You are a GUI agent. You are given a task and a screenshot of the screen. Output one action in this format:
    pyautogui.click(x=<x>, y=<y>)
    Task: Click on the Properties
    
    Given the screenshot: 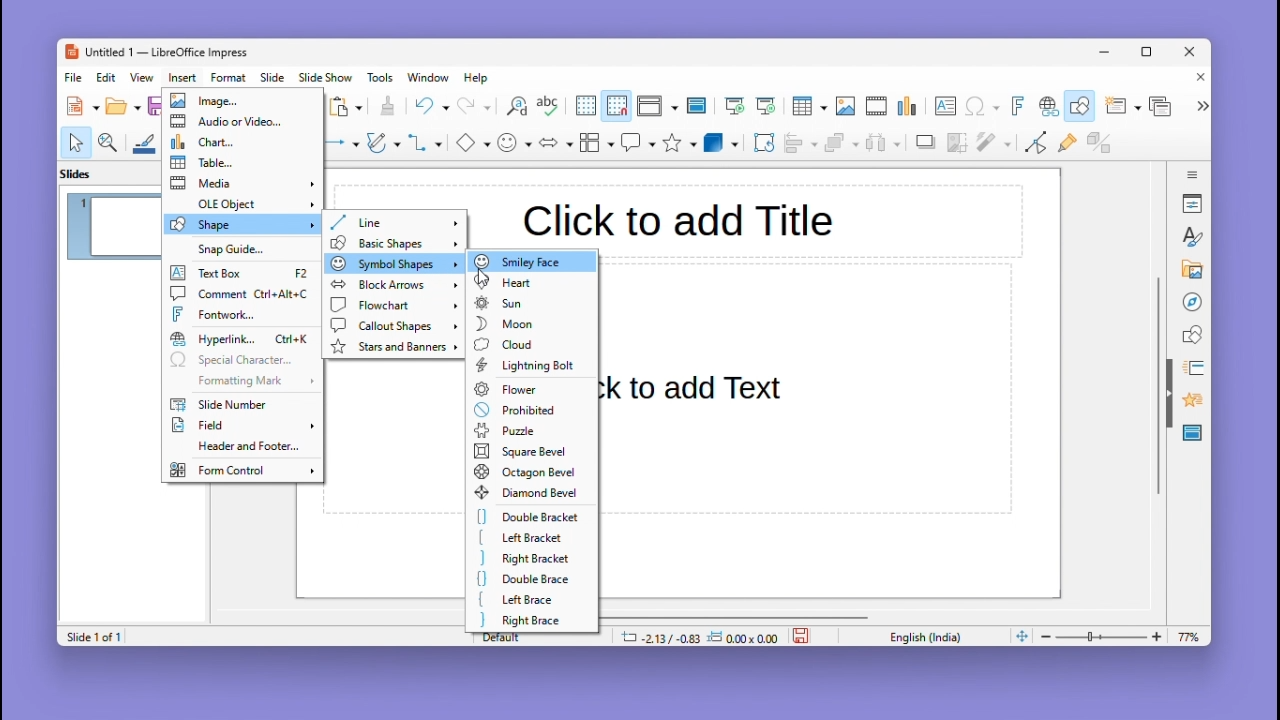 What is the action you would take?
    pyautogui.click(x=1194, y=203)
    